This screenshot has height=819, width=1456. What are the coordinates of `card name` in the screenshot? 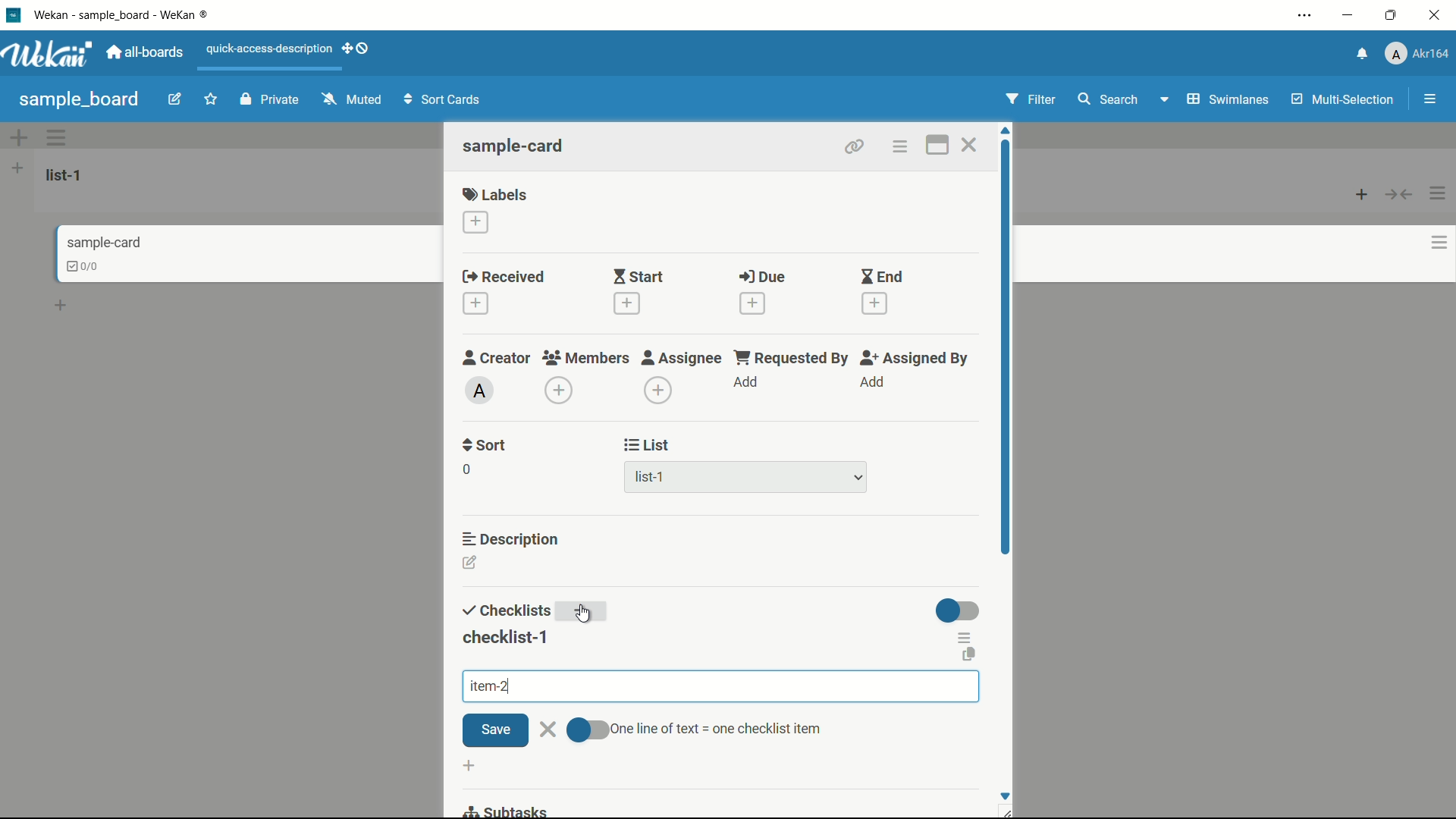 It's located at (104, 242).